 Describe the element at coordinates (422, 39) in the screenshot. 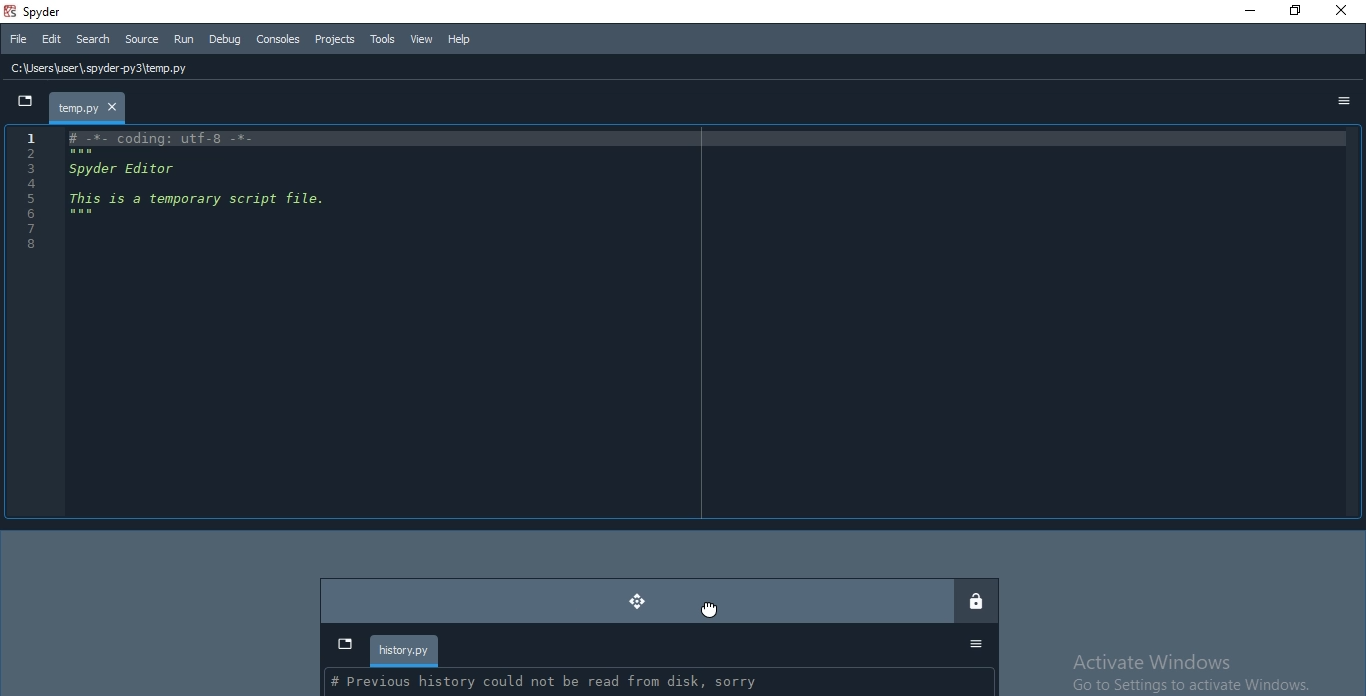

I see `View` at that location.